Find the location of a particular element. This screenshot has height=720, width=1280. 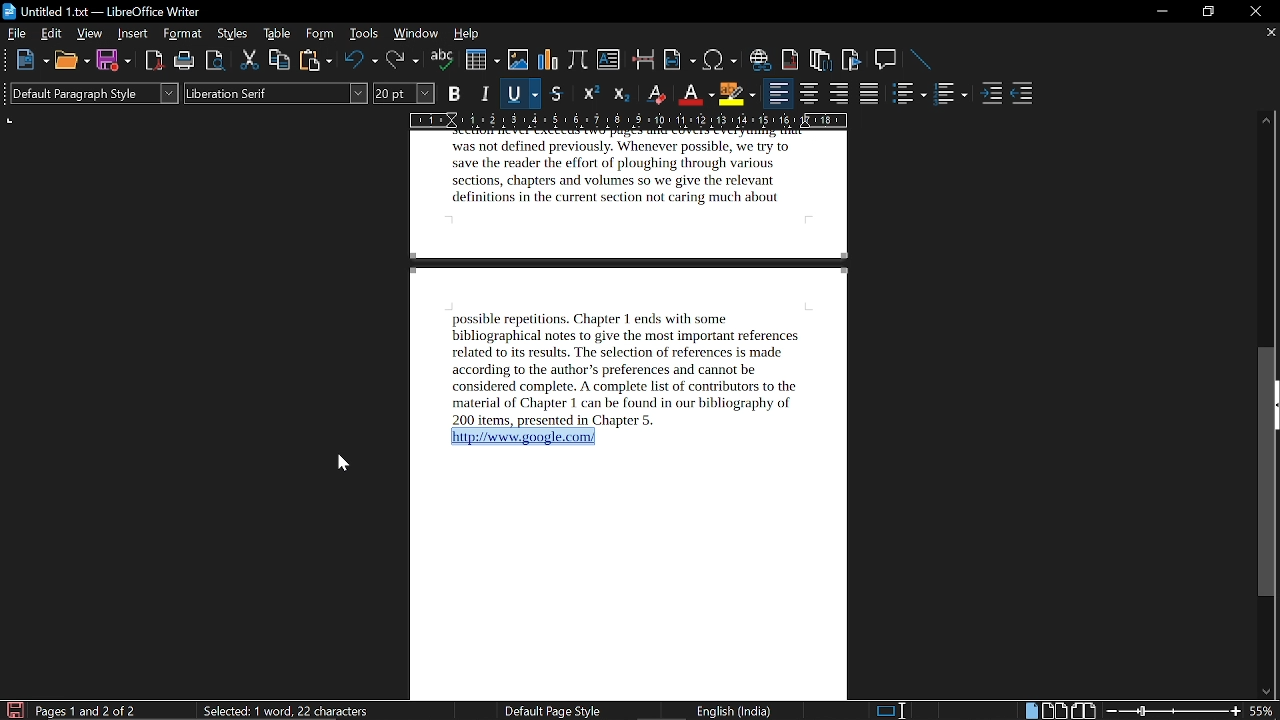

line is located at coordinates (922, 60).